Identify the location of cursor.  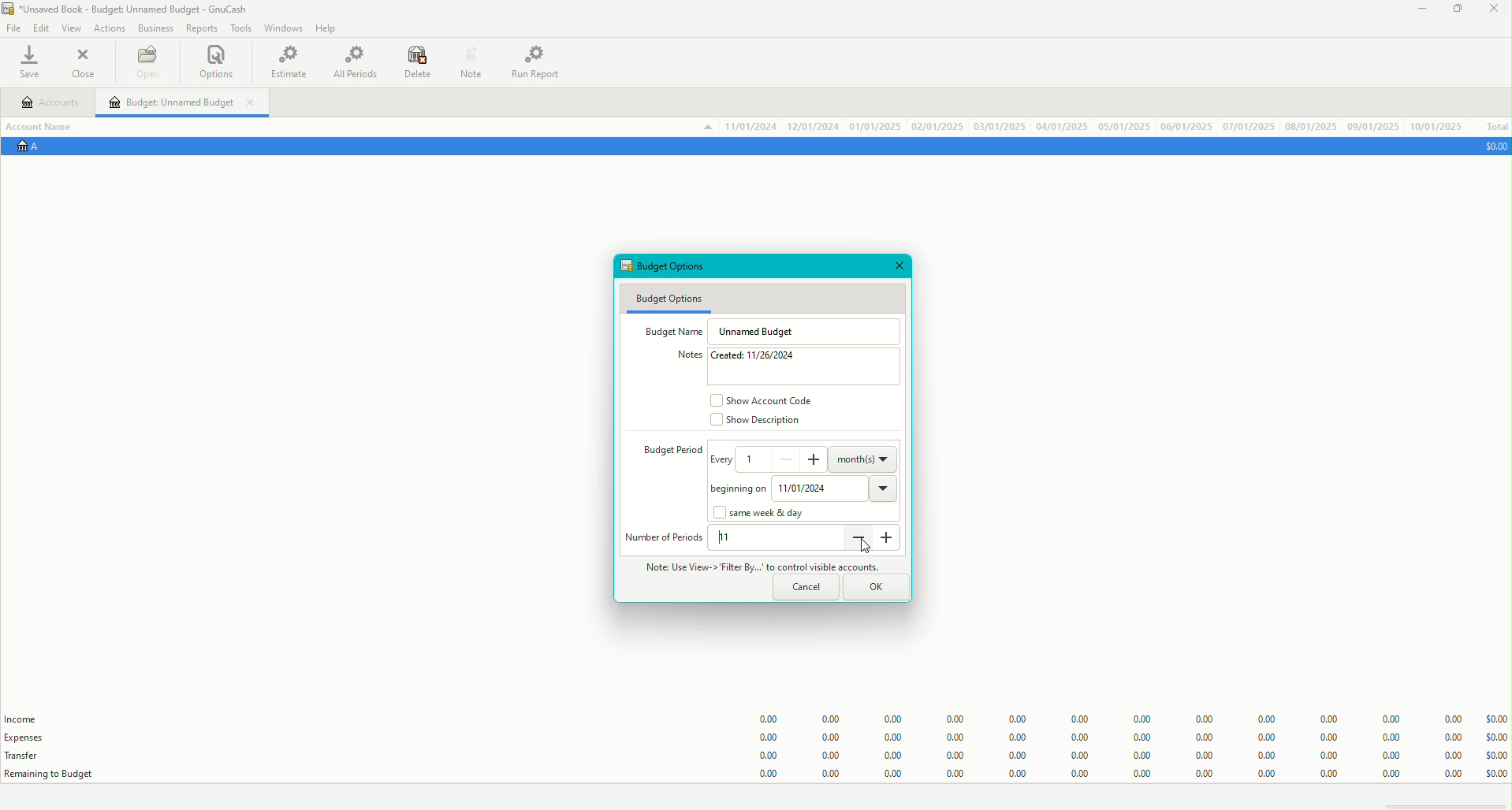
(865, 548).